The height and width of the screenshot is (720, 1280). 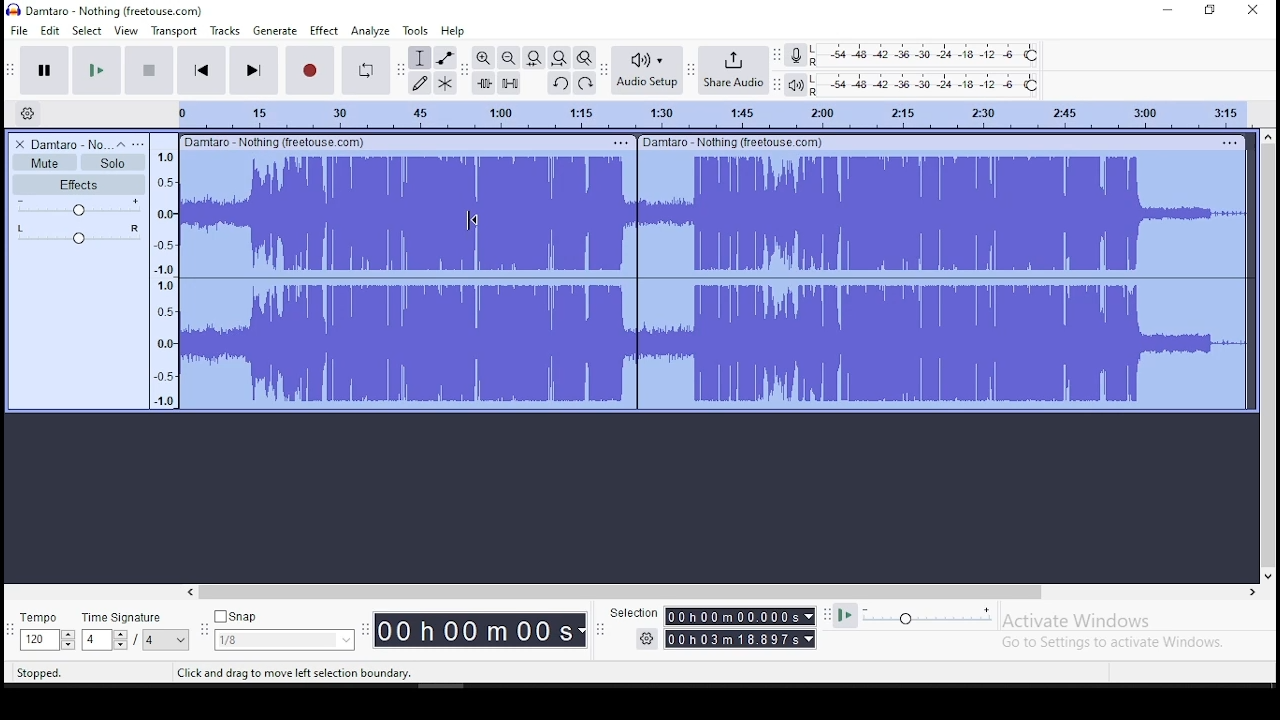 I want to click on solo, so click(x=112, y=162).